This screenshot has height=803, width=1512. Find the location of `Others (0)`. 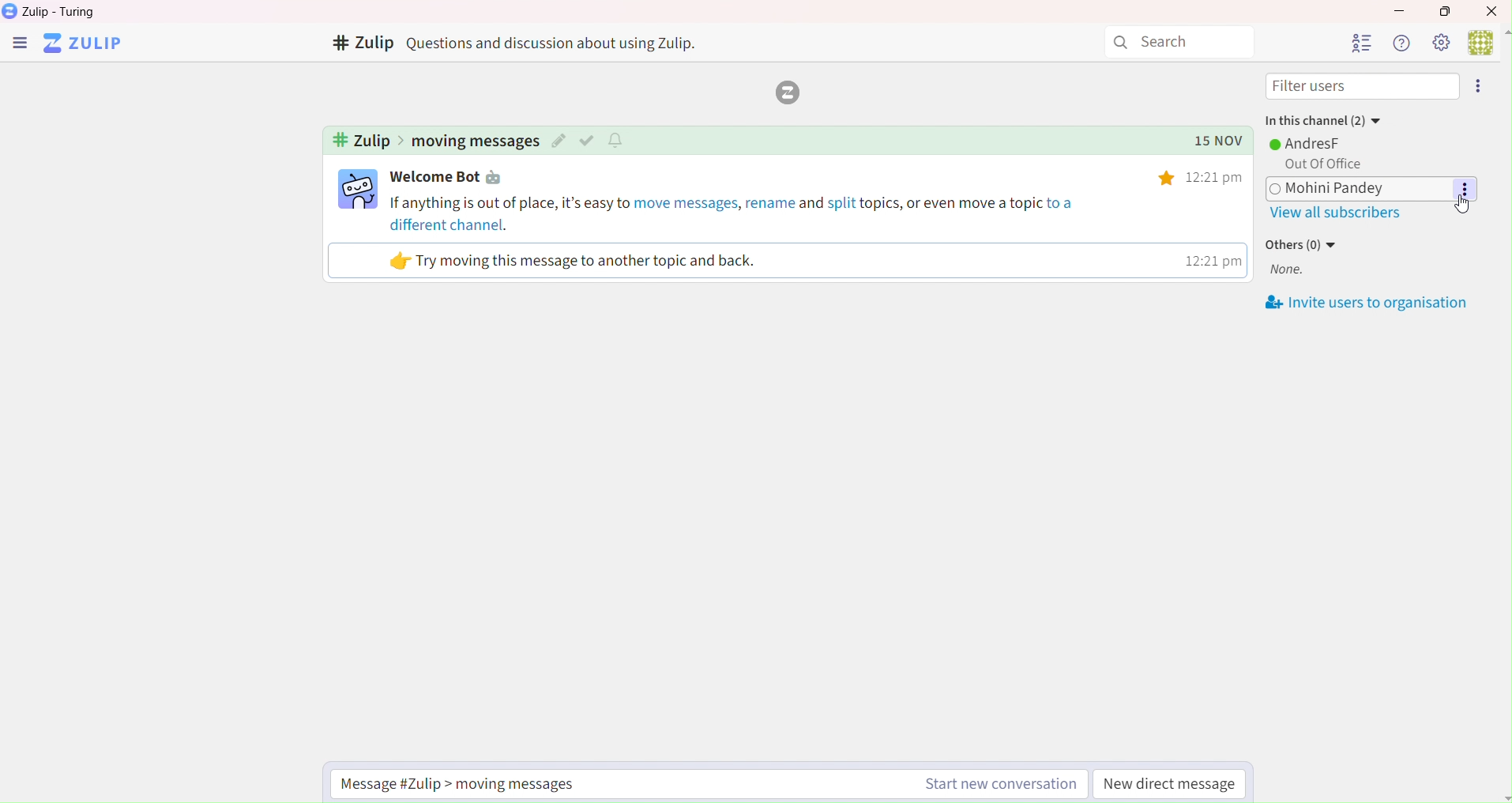

Others (0) is located at coordinates (1303, 244).